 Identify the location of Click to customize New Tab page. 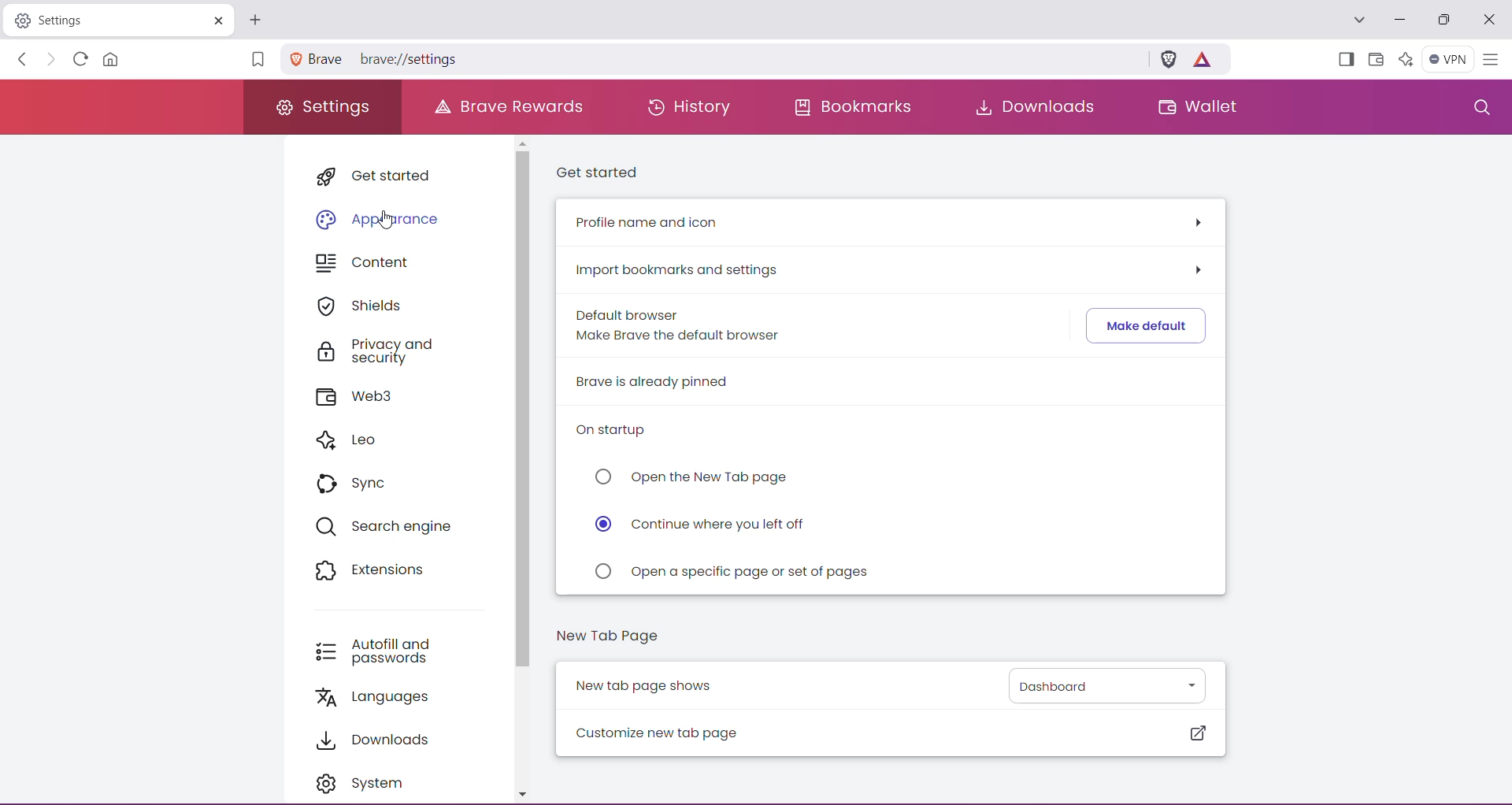
(1196, 733).